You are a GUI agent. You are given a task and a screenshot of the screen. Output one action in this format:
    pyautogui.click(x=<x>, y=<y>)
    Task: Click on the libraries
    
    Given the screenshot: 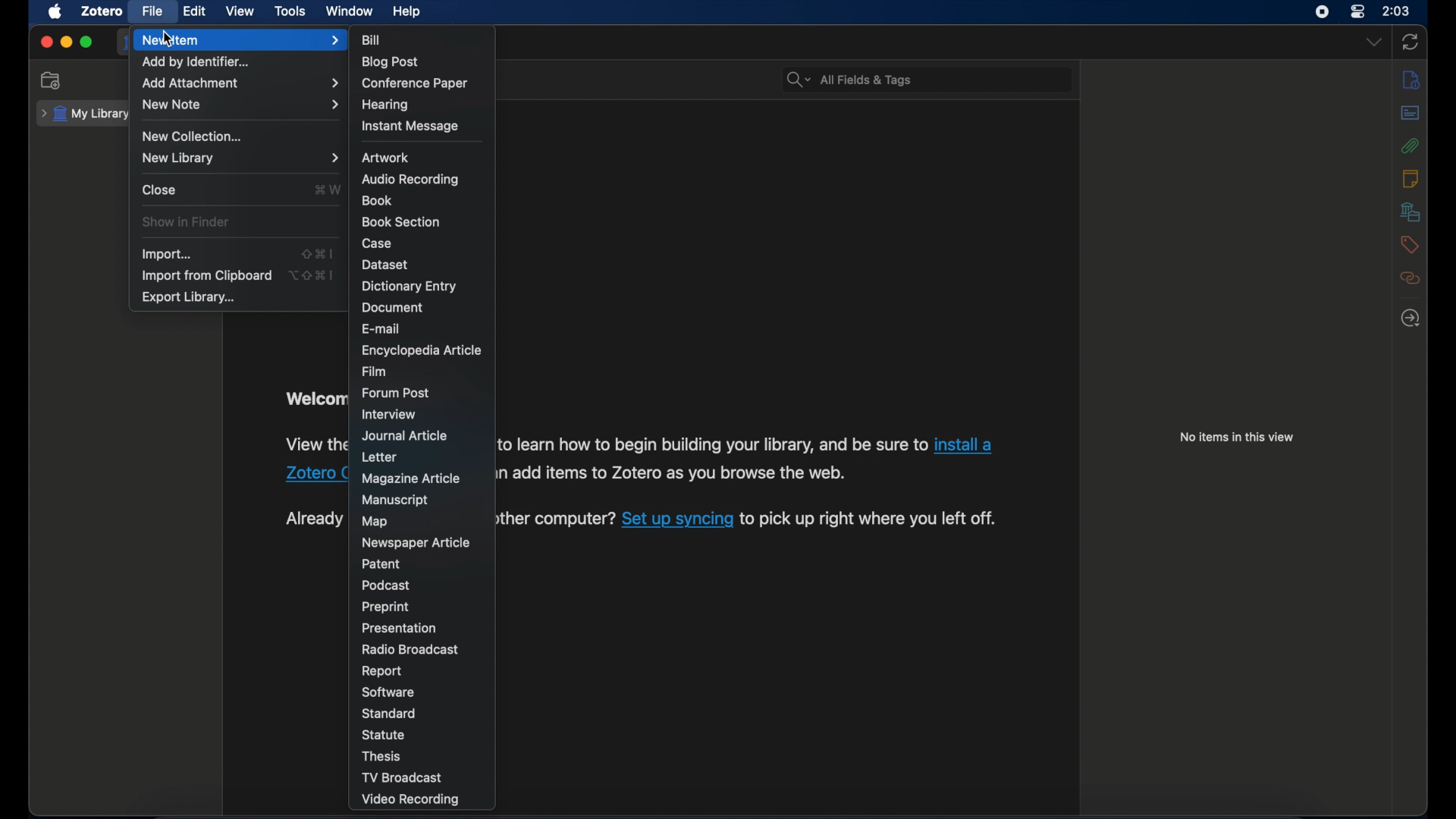 What is the action you would take?
    pyautogui.click(x=1410, y=212)
    